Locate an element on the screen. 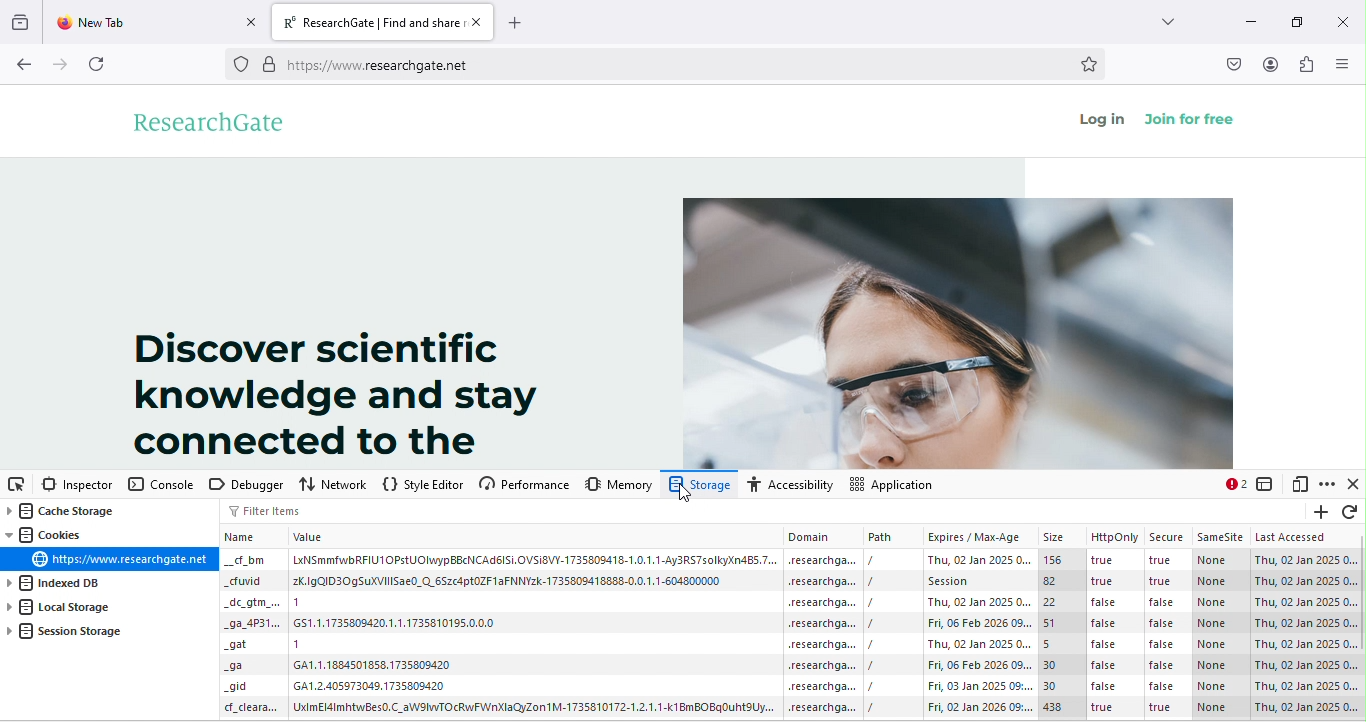 This screenshot has height=722, width=1366.  is located at coordinates (241, 667).